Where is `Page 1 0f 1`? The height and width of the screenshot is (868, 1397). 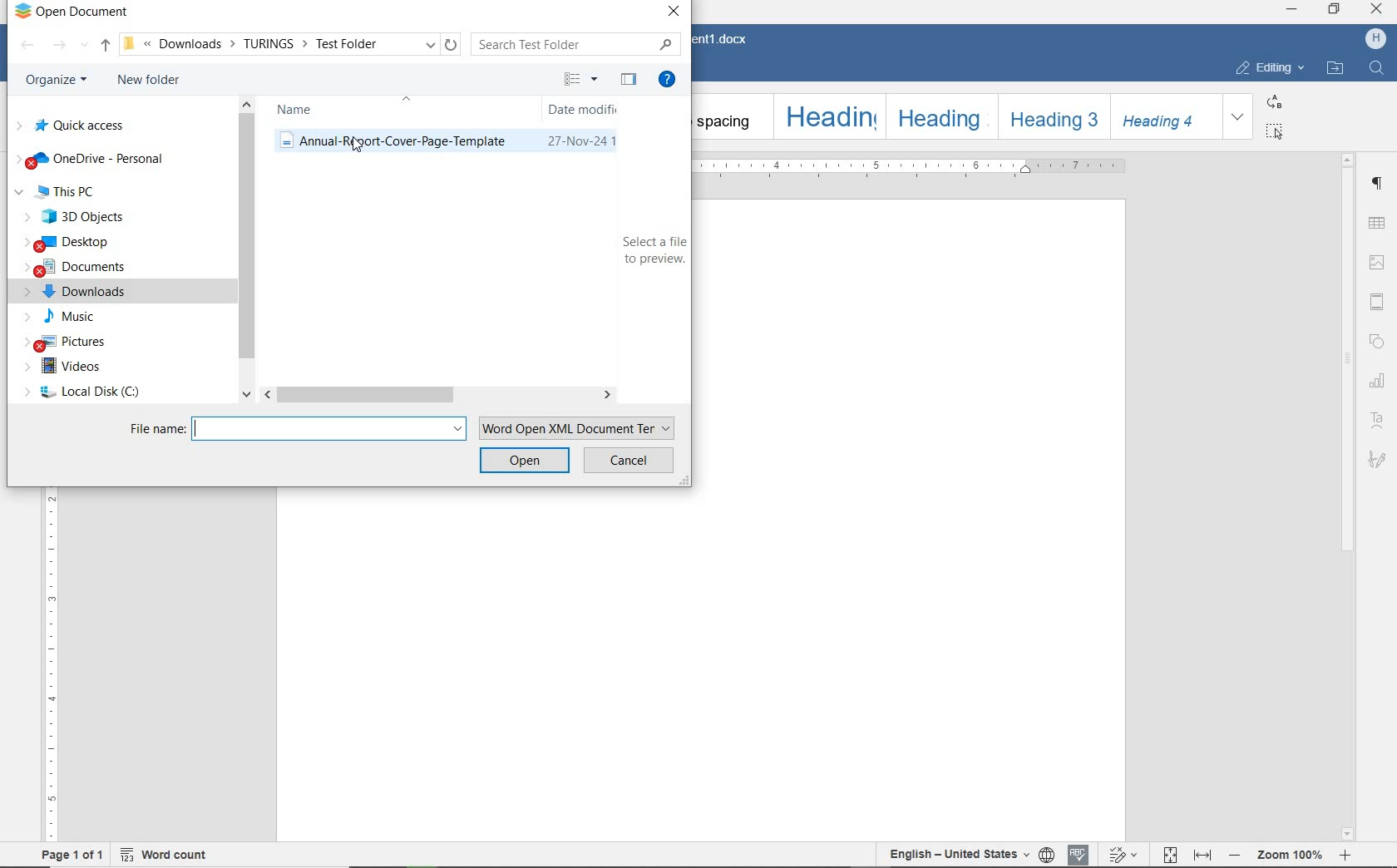 Page 1 0f 1 is located at coordinates (72, 854).